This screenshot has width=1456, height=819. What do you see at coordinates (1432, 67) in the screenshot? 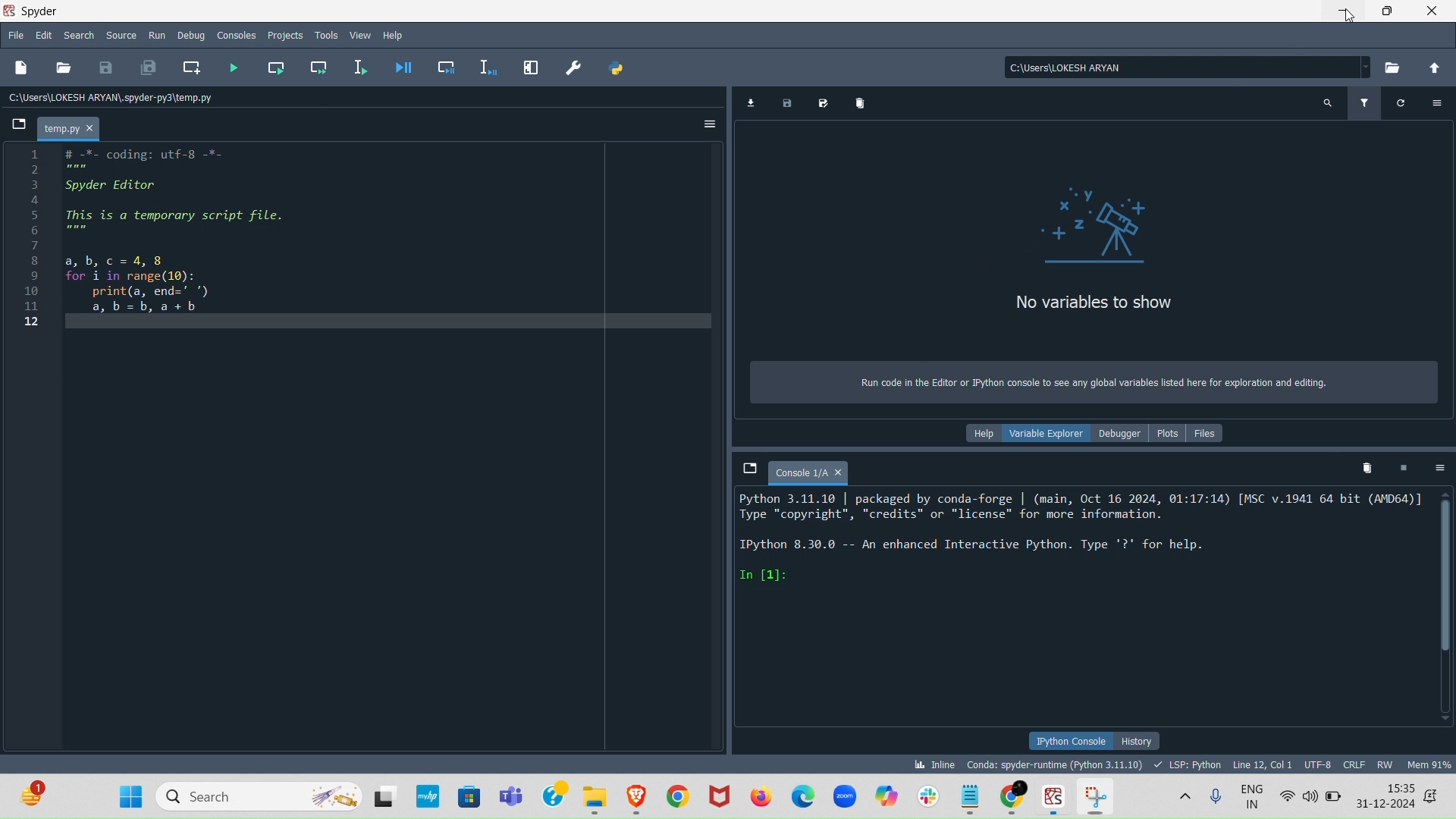
I see `Change to parent directory` at bounding box center [1432, 67].